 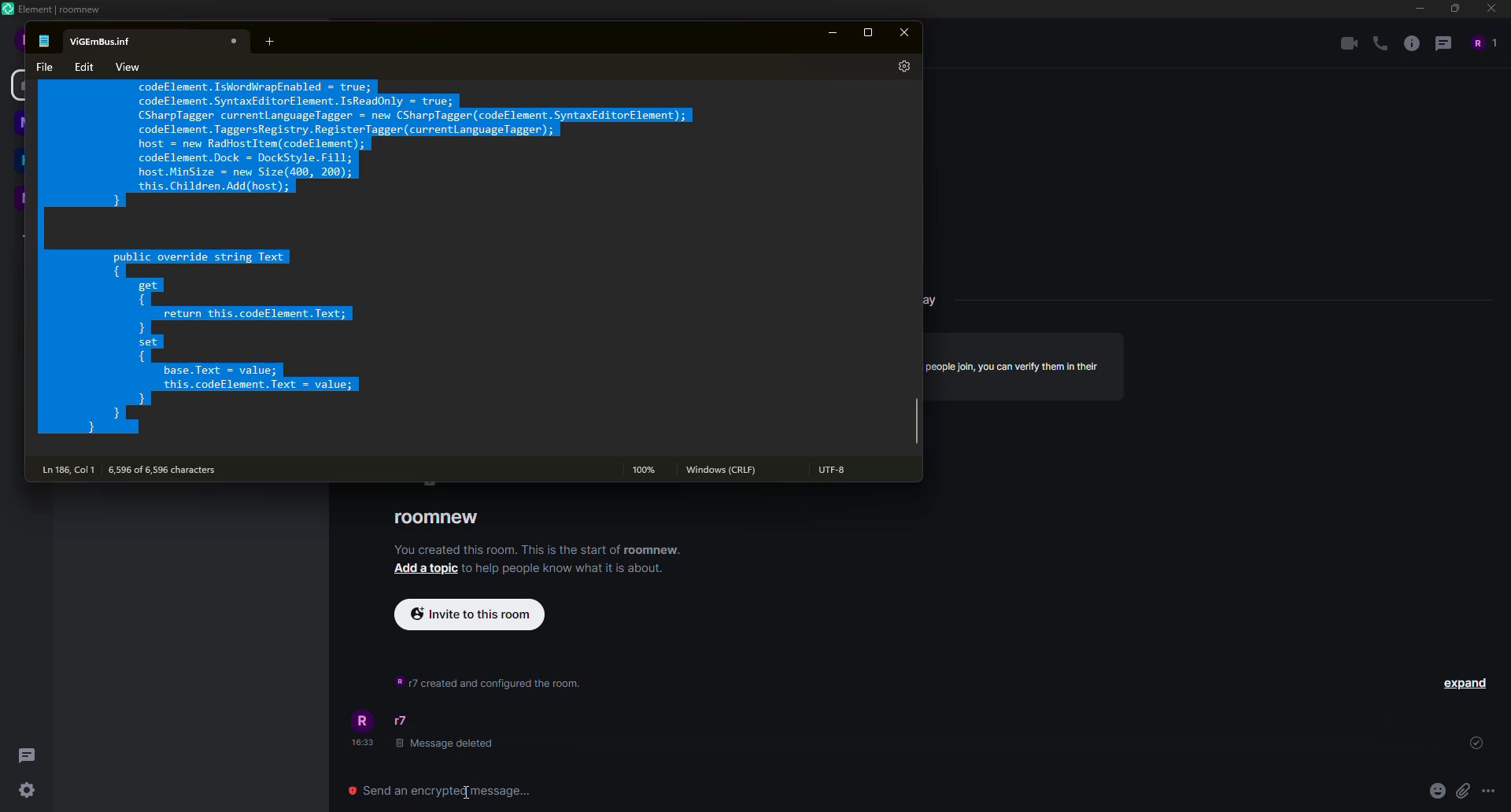 I want to click on voice call, so click(x=1377, y=44).